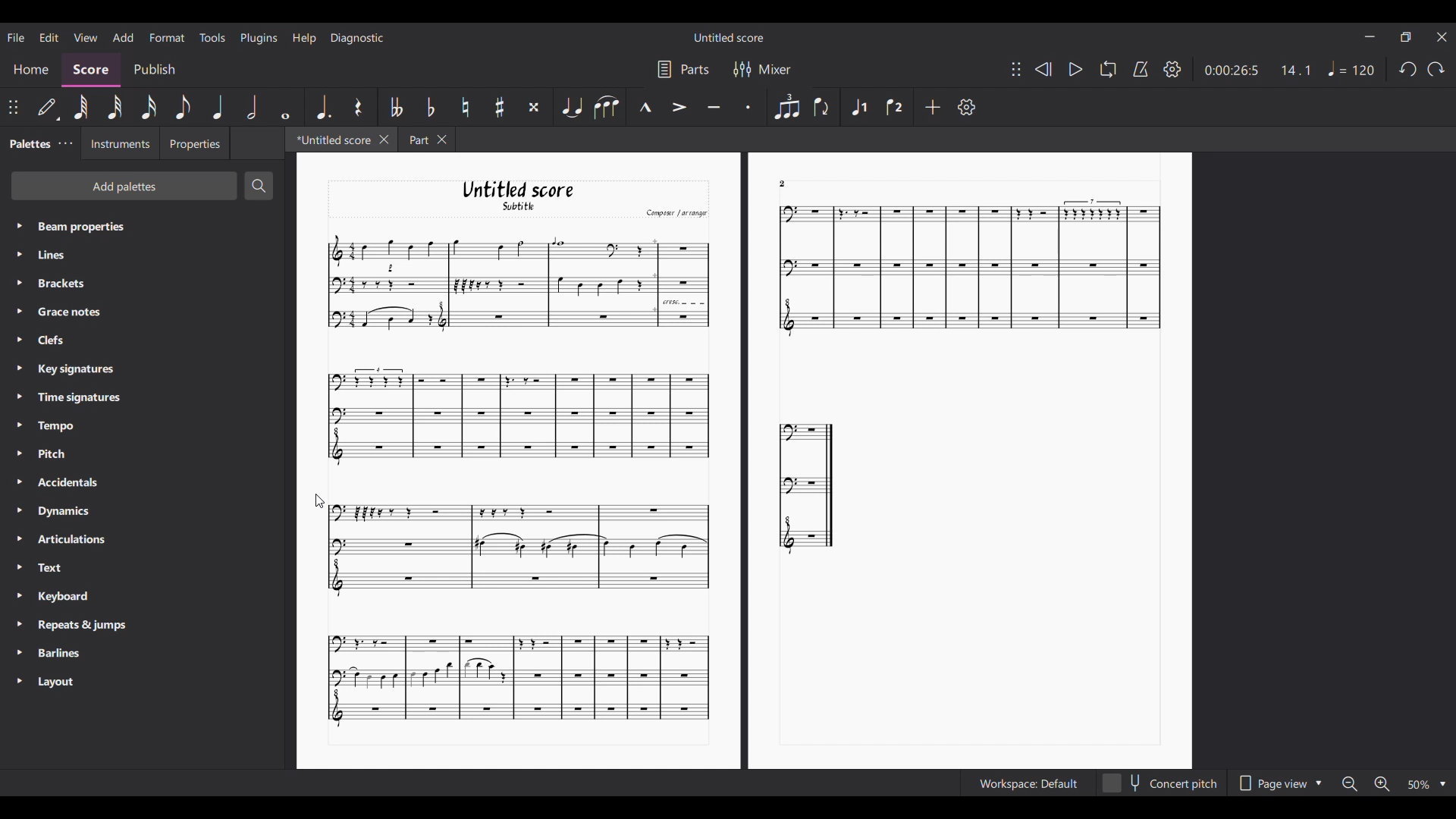 The width and height of the screenshot is (1456, 819). What do you see at coordinates (49, 37) in the screenshot?
I see `Edit menu` at bounding box center [49, 37].